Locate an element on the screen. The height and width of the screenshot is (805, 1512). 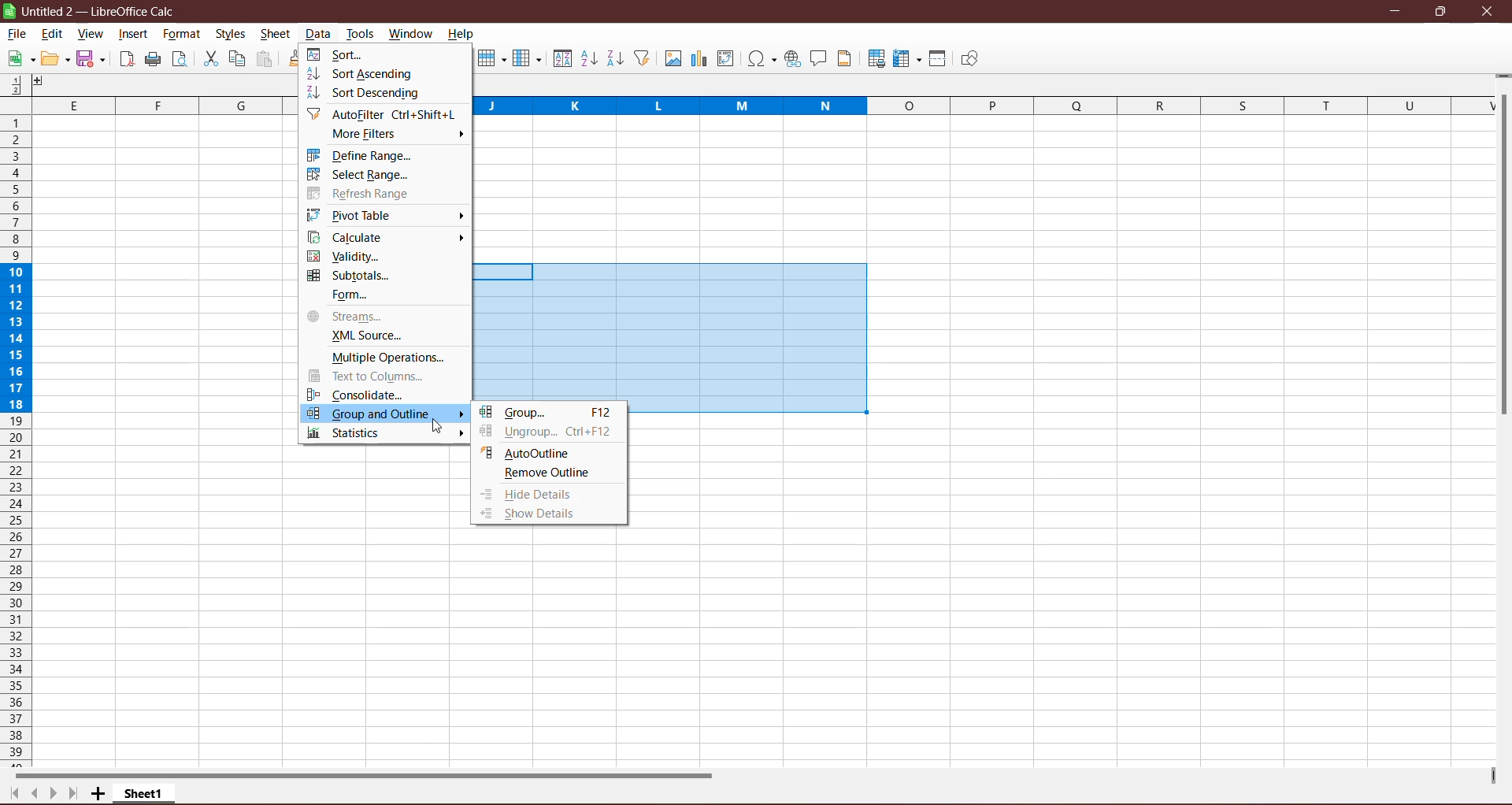
Validity is located at coordinates (346, 256).